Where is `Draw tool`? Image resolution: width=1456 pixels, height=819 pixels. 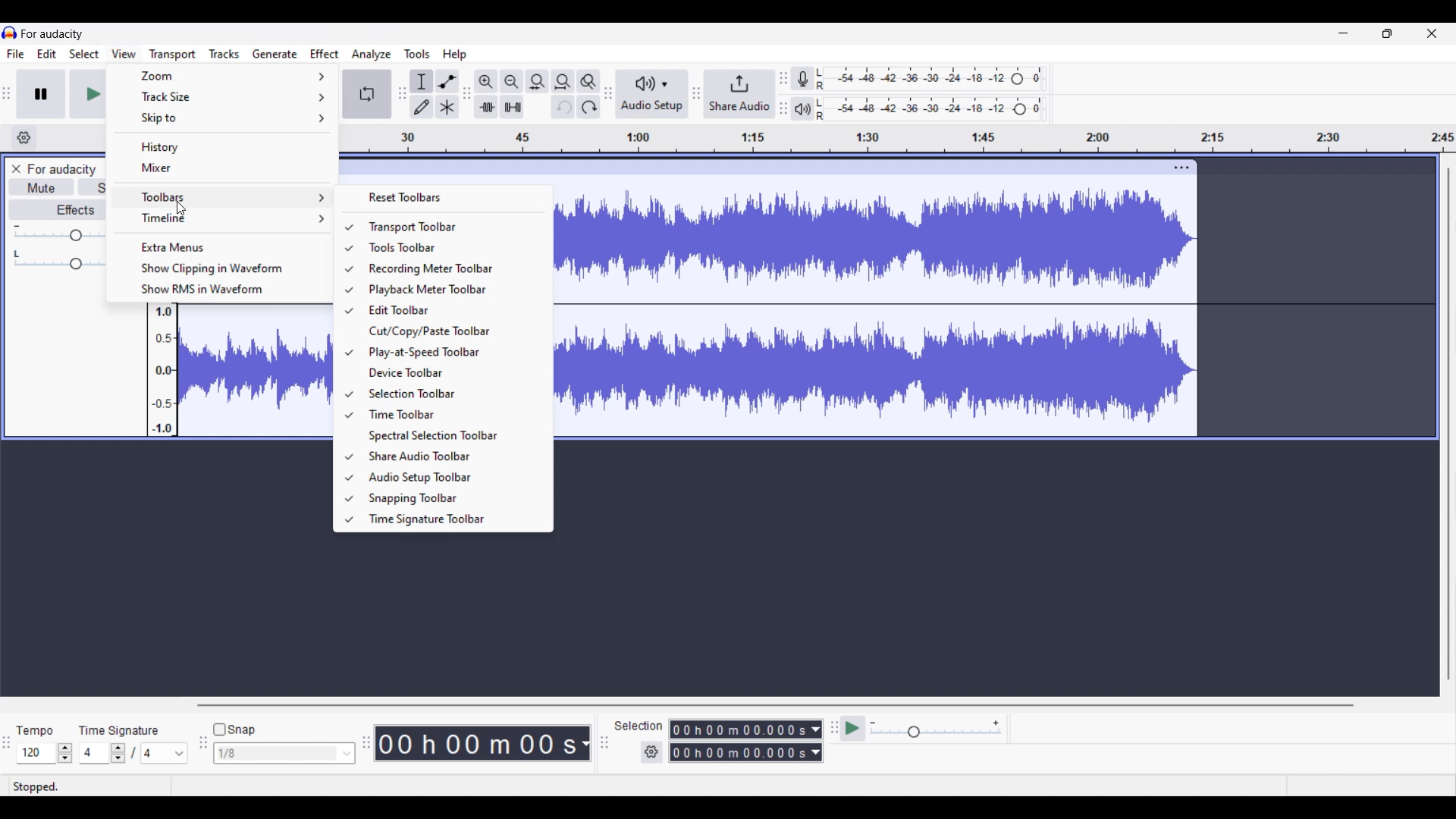 Draw tool is located at coordinates (420, 107).